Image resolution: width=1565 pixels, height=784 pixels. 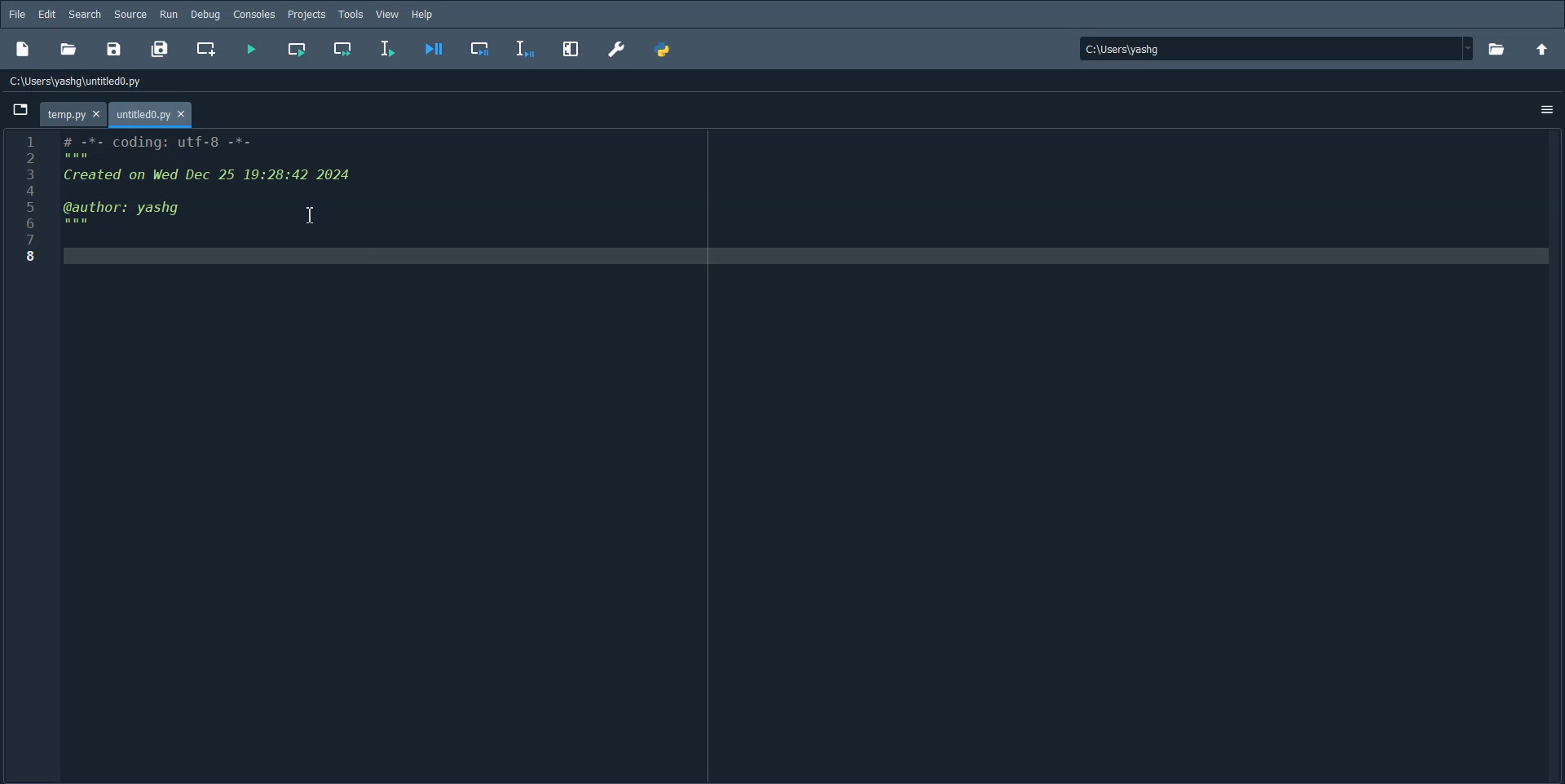 I want to click on Open file, so click(x=68, y=47).